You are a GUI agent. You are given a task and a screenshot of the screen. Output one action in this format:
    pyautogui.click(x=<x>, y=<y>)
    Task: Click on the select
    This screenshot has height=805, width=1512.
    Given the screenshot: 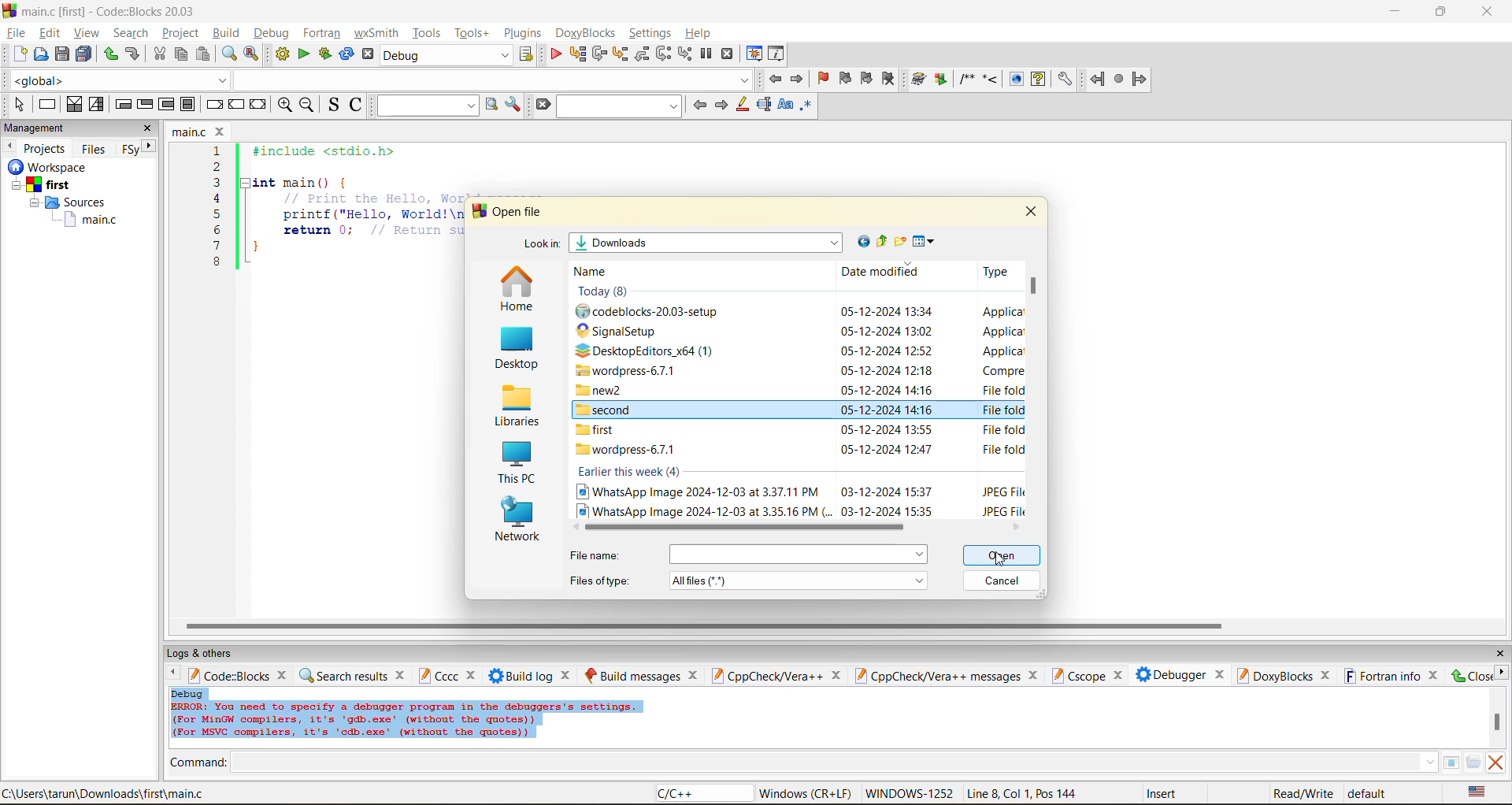 What is the action you would take?
    pyautogui.click(x=19, y=104)
    